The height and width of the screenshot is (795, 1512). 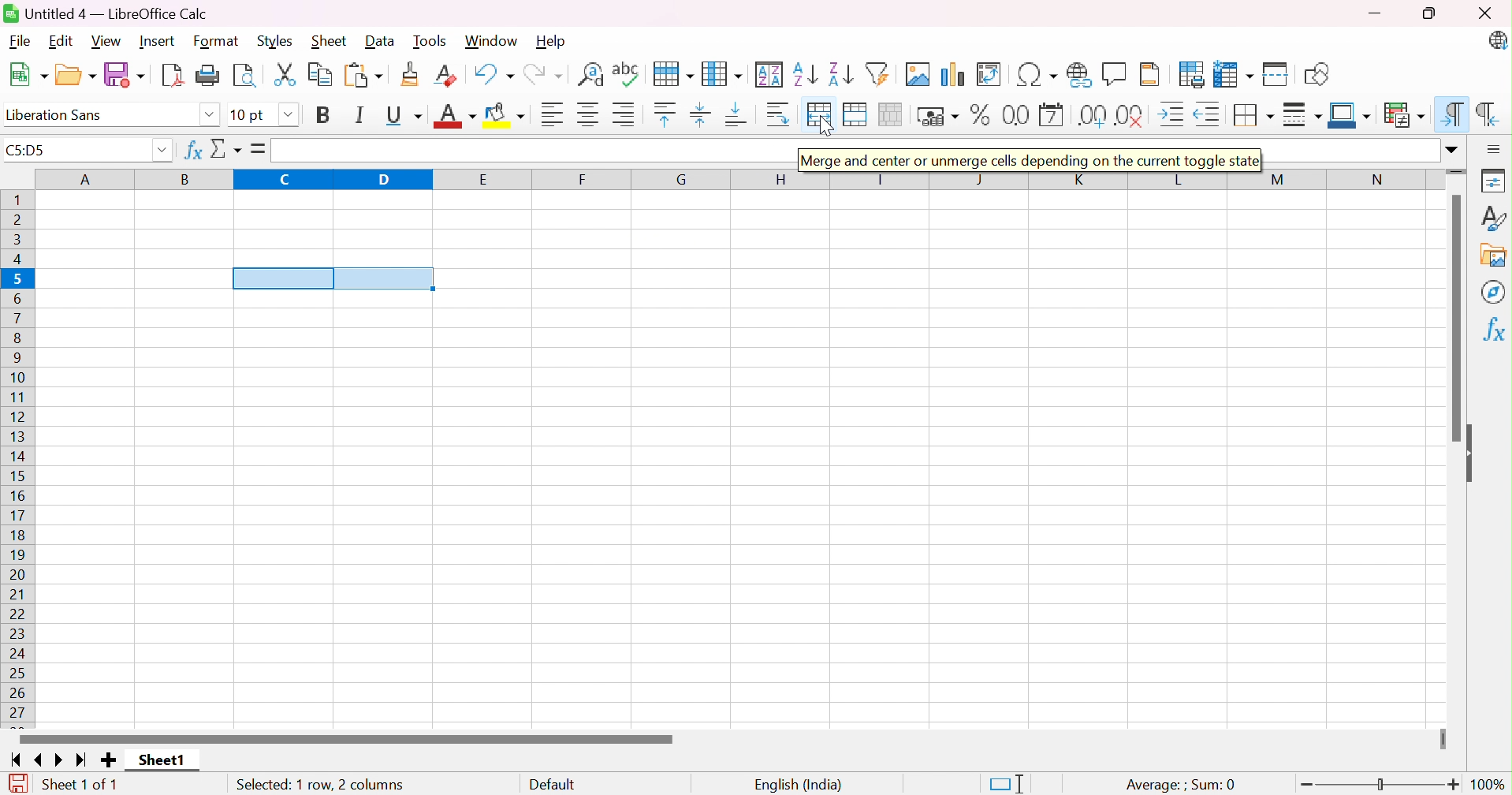 I want to click on Merge Cells, so click(x=858, y=114).